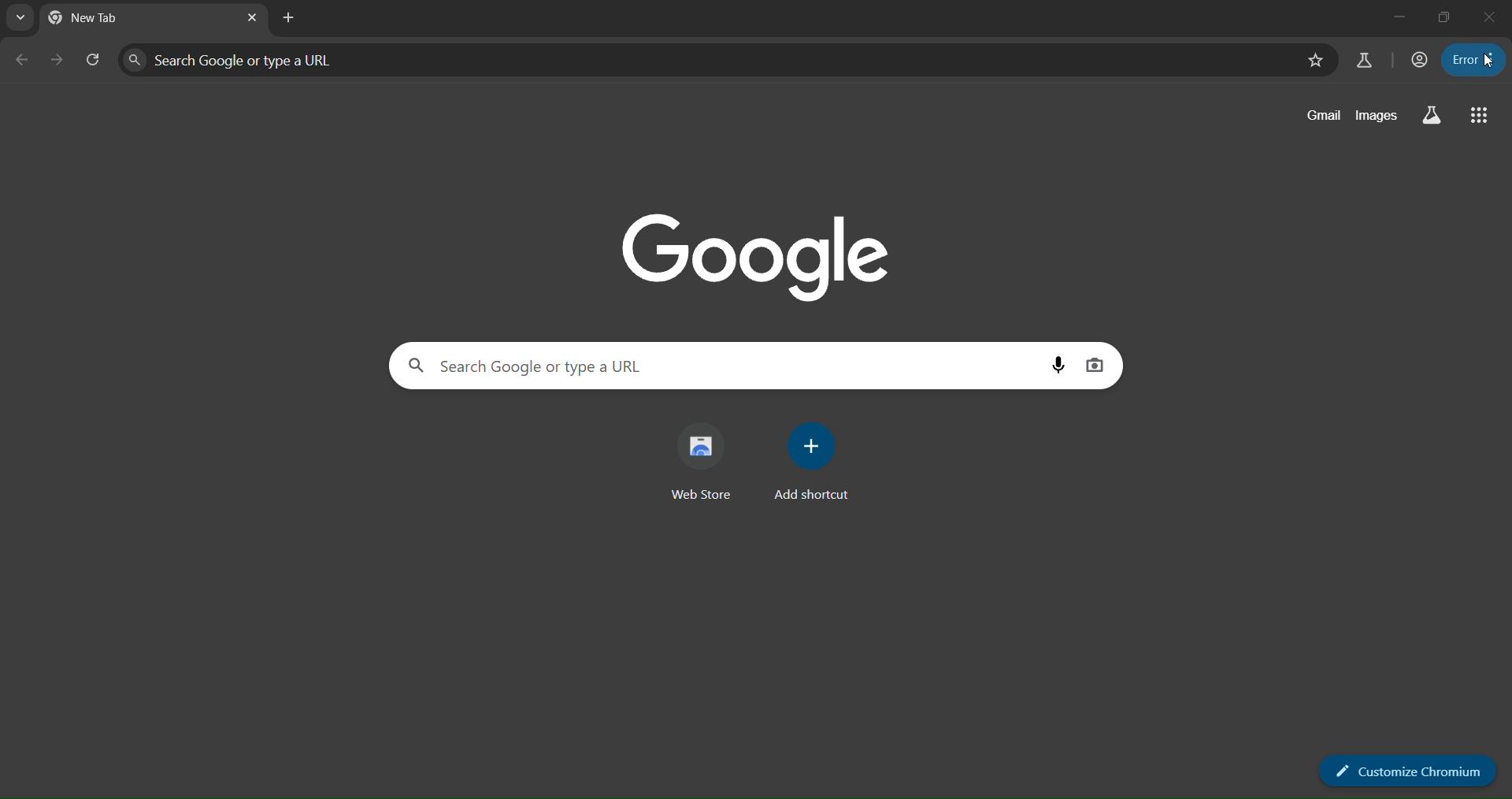  What do you see at coordinates (1377, 117) in the screenshot?
I see `images` at bounding box center [1377, 117].